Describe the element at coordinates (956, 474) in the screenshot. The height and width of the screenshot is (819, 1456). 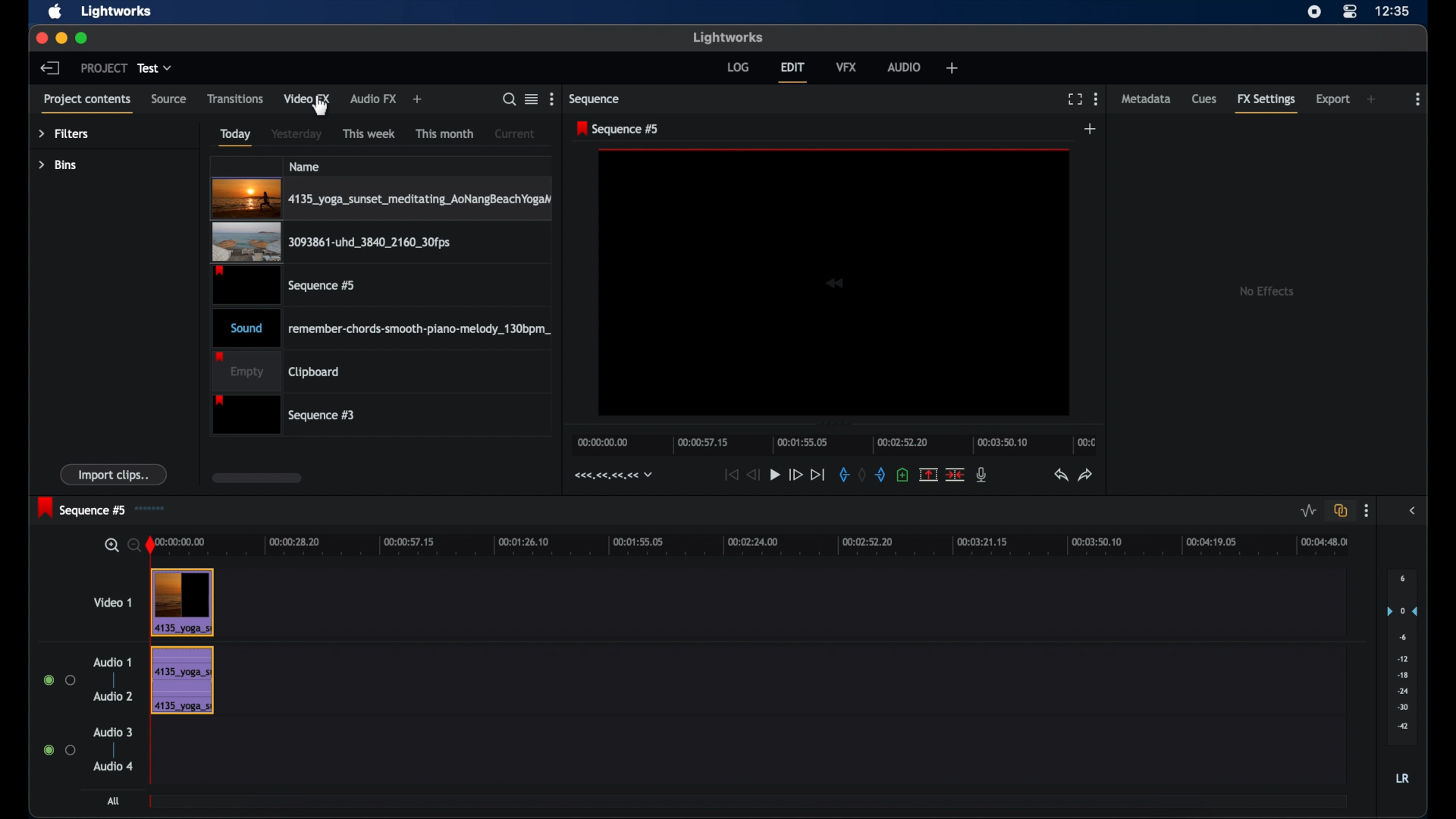
I see `delete cut` at that location.